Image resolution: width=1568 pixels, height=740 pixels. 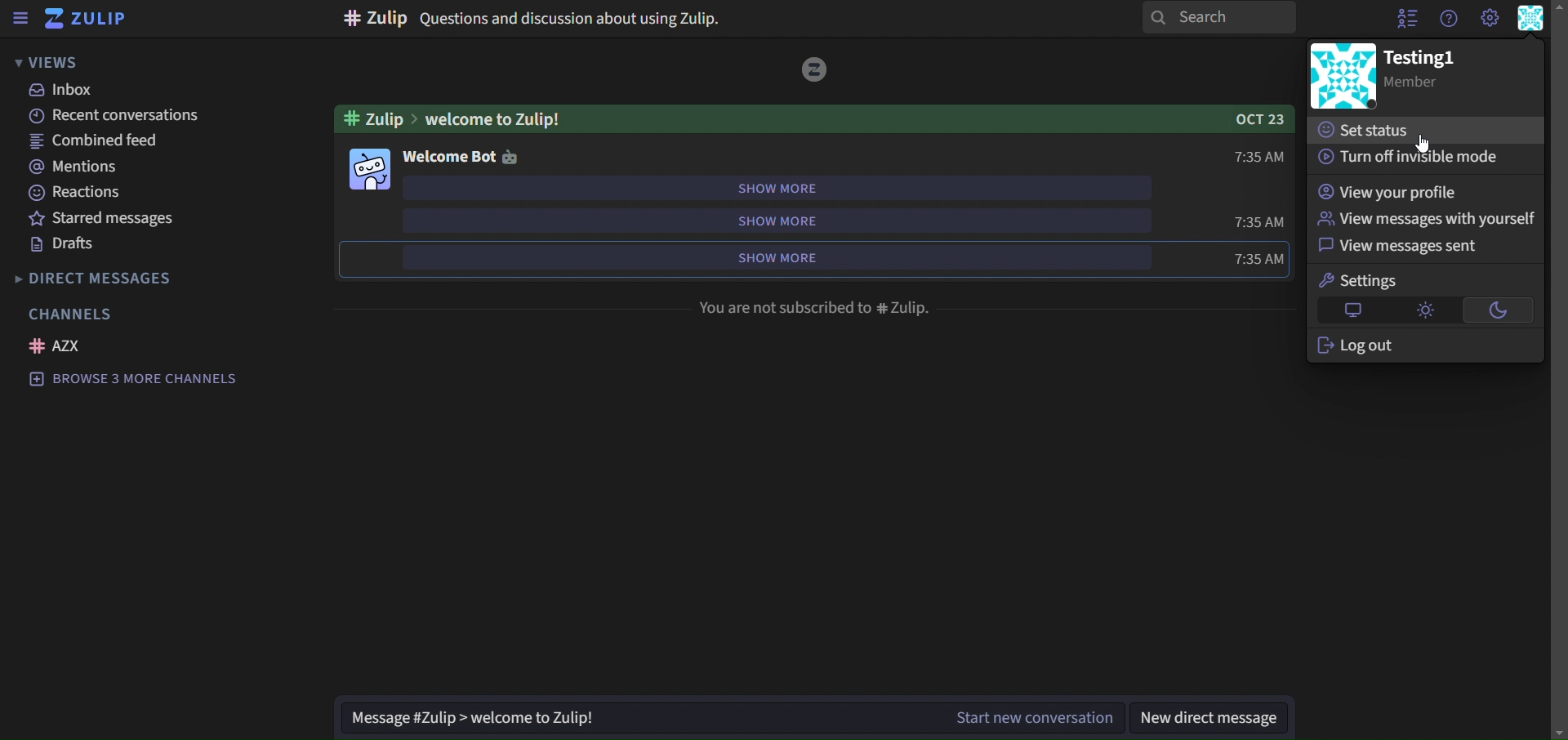 I want to click on 7:35am, so click(x=1258, y=219).